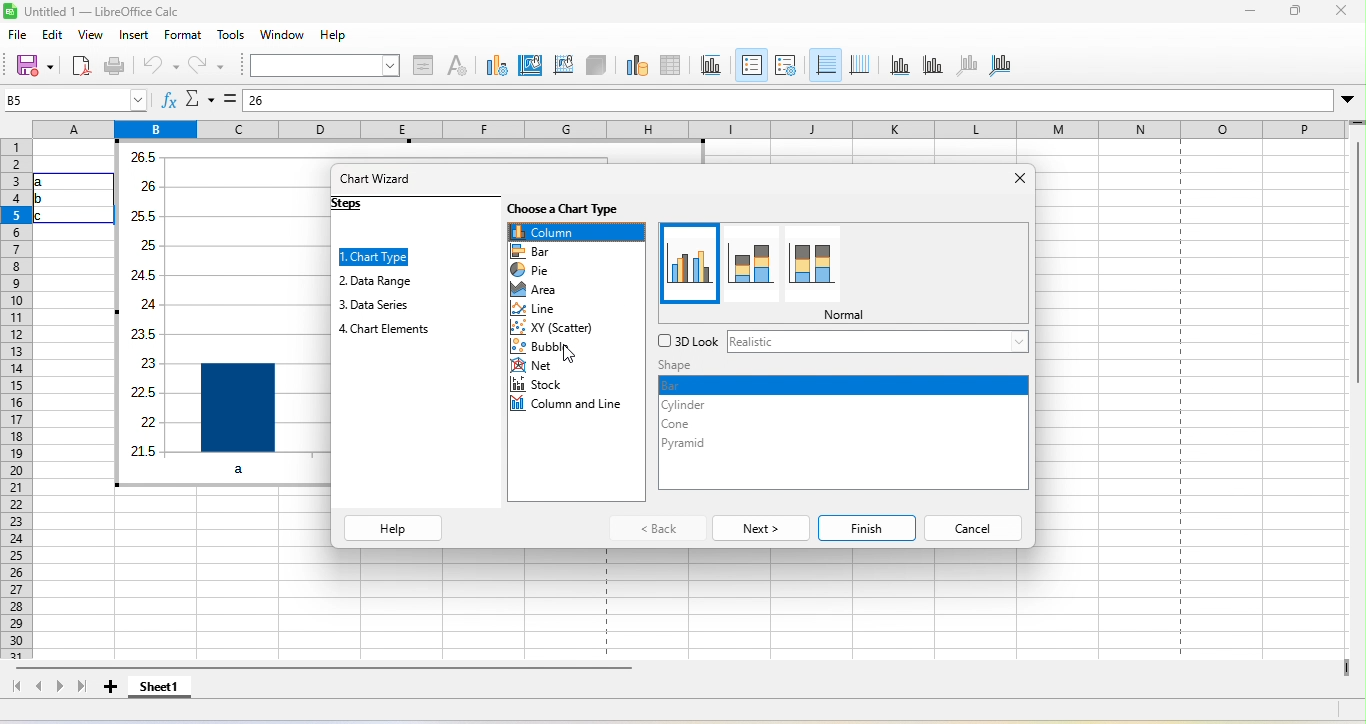 This screenshot has height=724, width=1366. I want to click on tools, so click(232, 36).